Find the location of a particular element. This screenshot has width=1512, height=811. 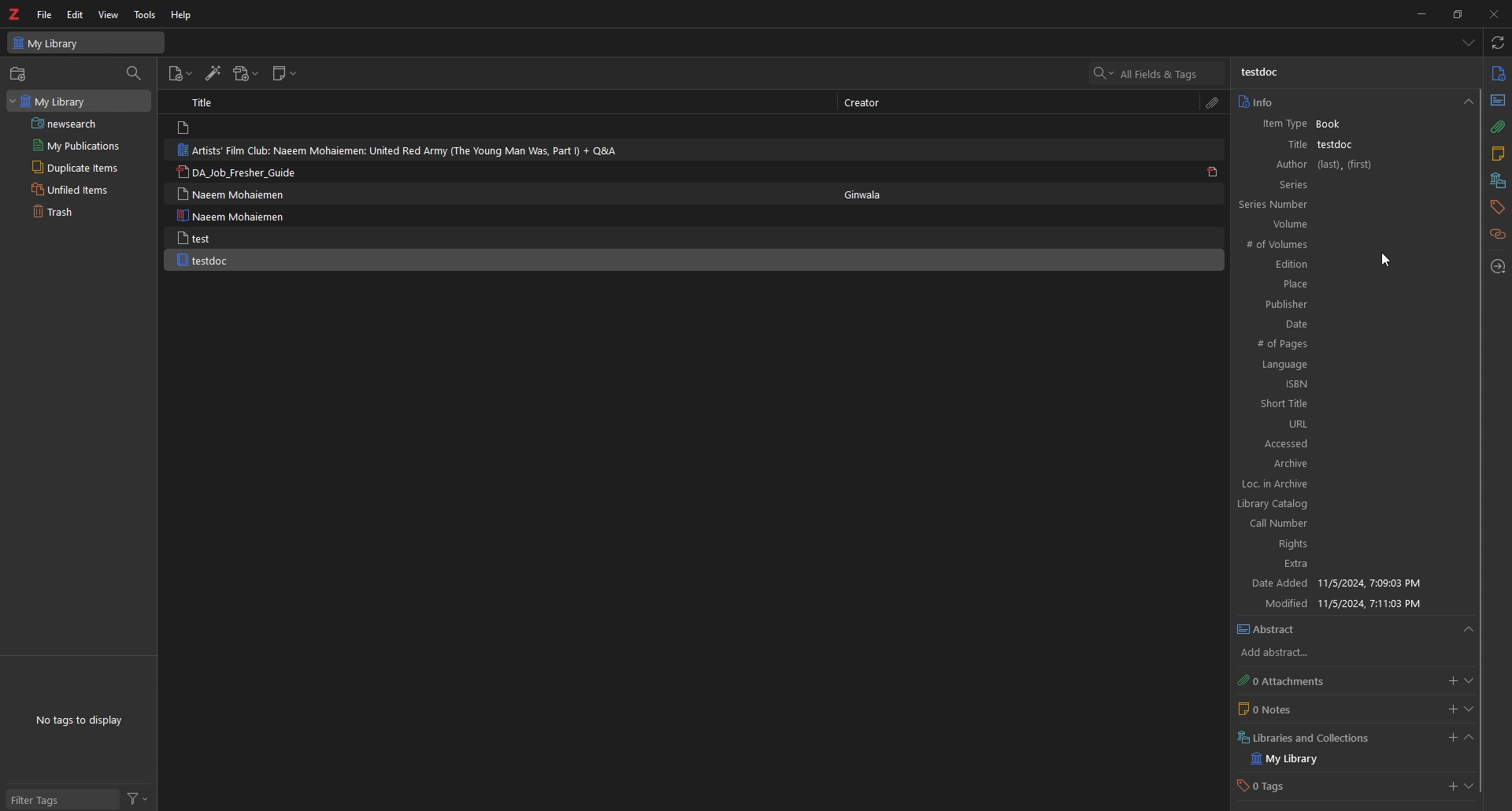

# of Volumes is located at coordinates (1288, 245).